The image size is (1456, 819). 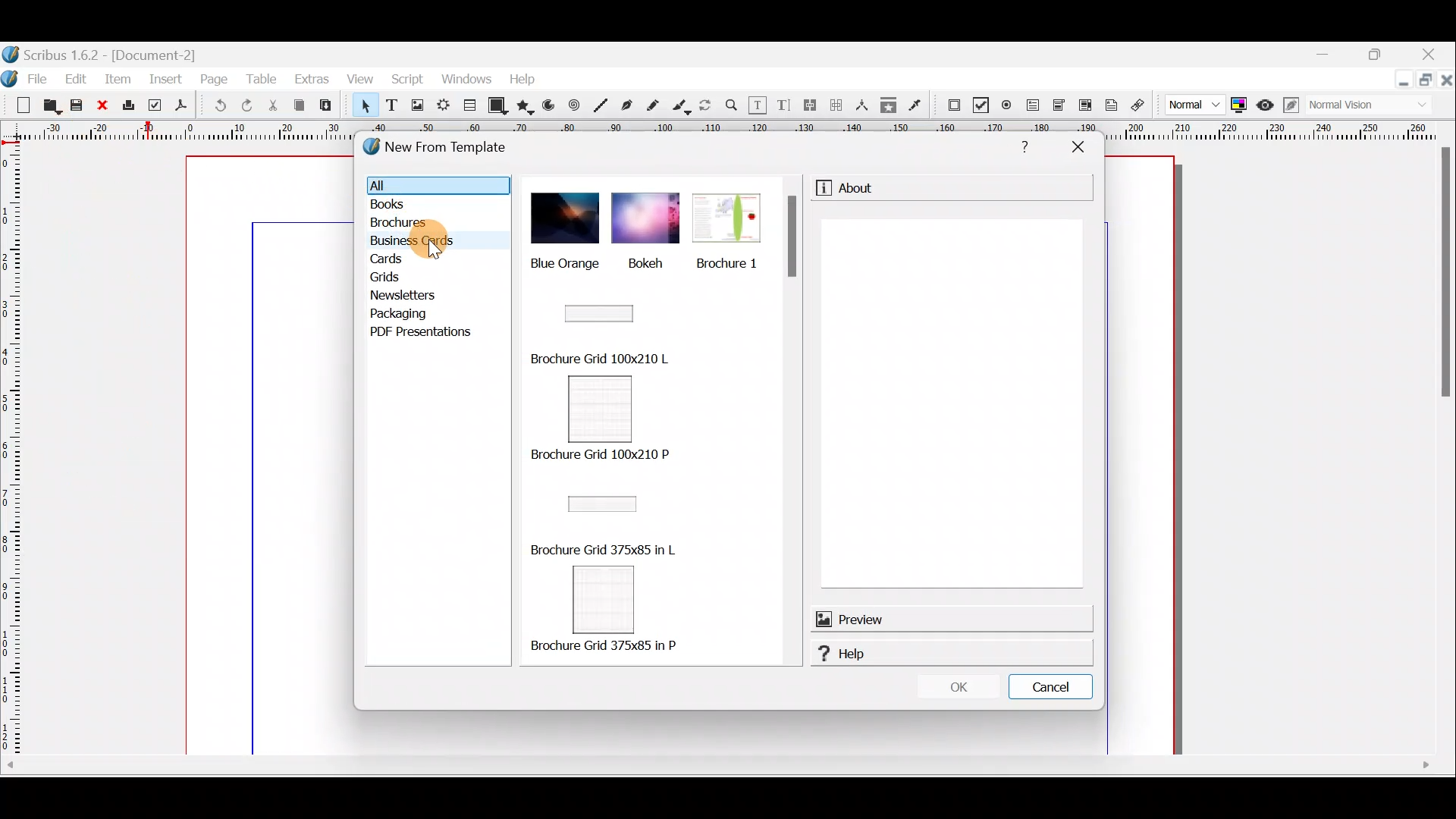 What do you see at coordinates (108, 52) in the screenshot?
I see `Document name` at bounding box center [108, 52].